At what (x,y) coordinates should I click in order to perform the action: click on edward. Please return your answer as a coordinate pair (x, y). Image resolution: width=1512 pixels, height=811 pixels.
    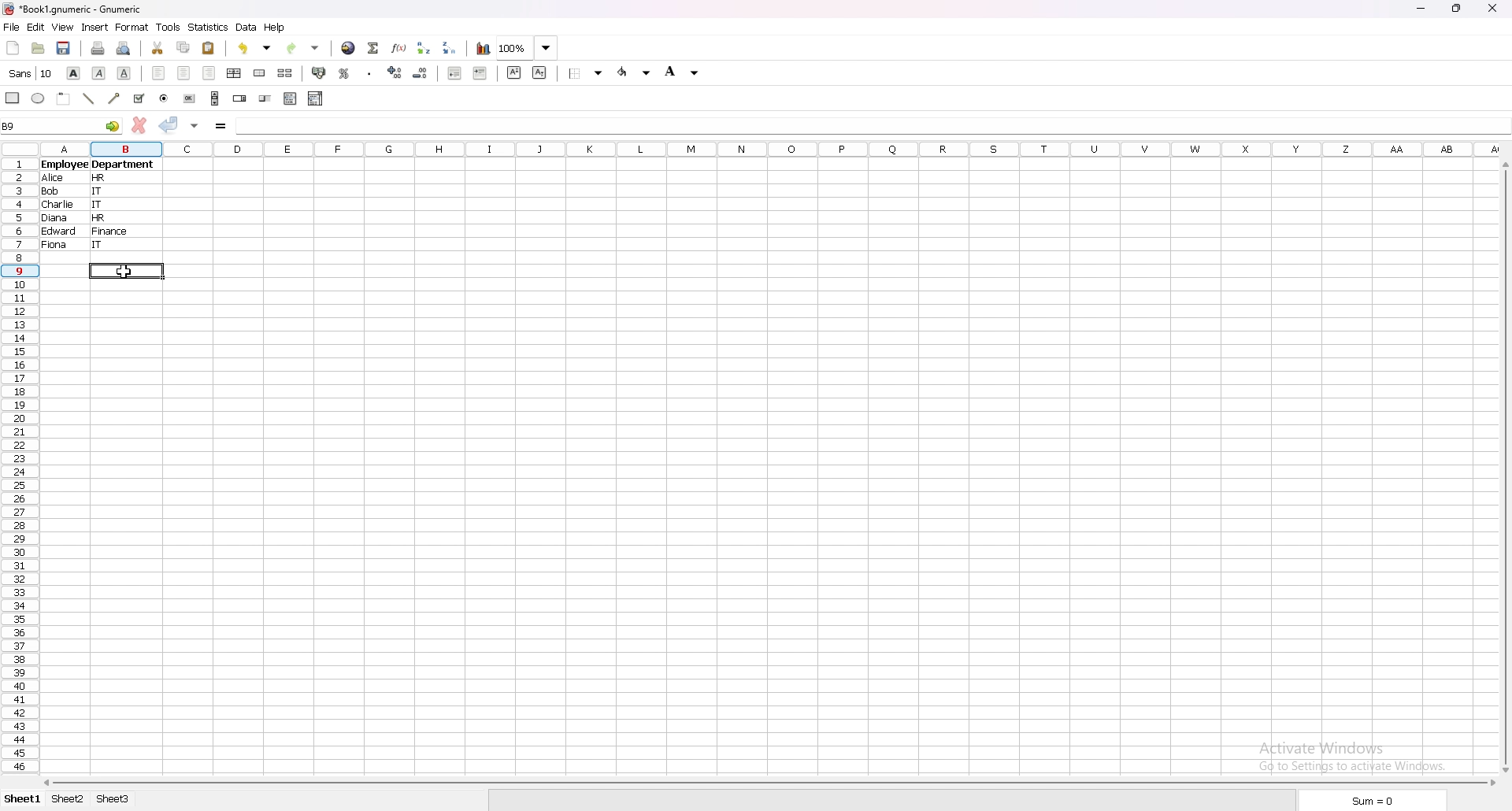
    Looking at the image, I should click on (58, 234).